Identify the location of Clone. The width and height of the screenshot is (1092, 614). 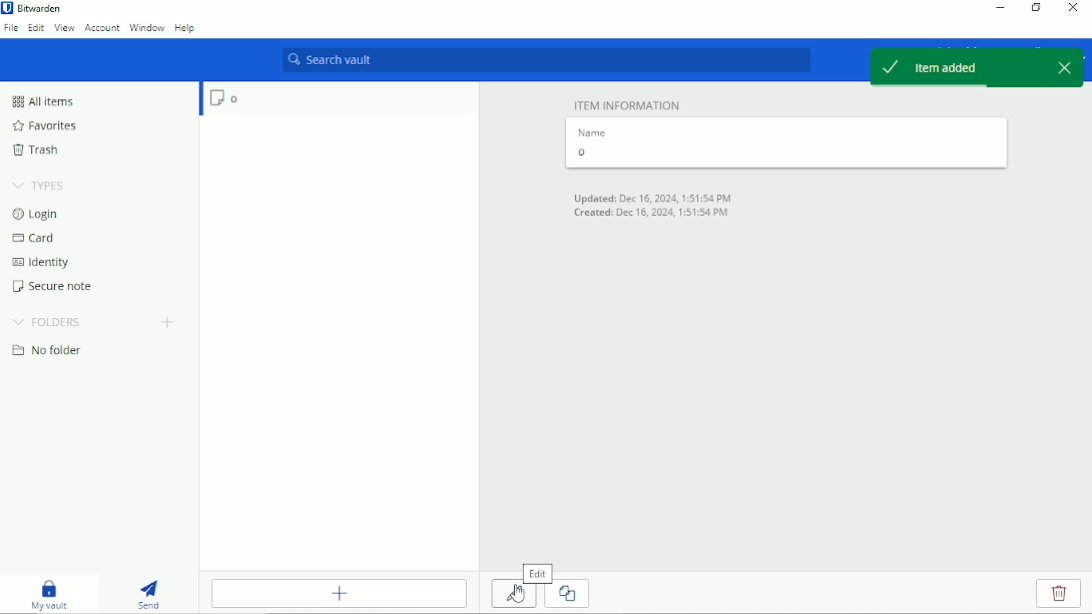
(572, 592).